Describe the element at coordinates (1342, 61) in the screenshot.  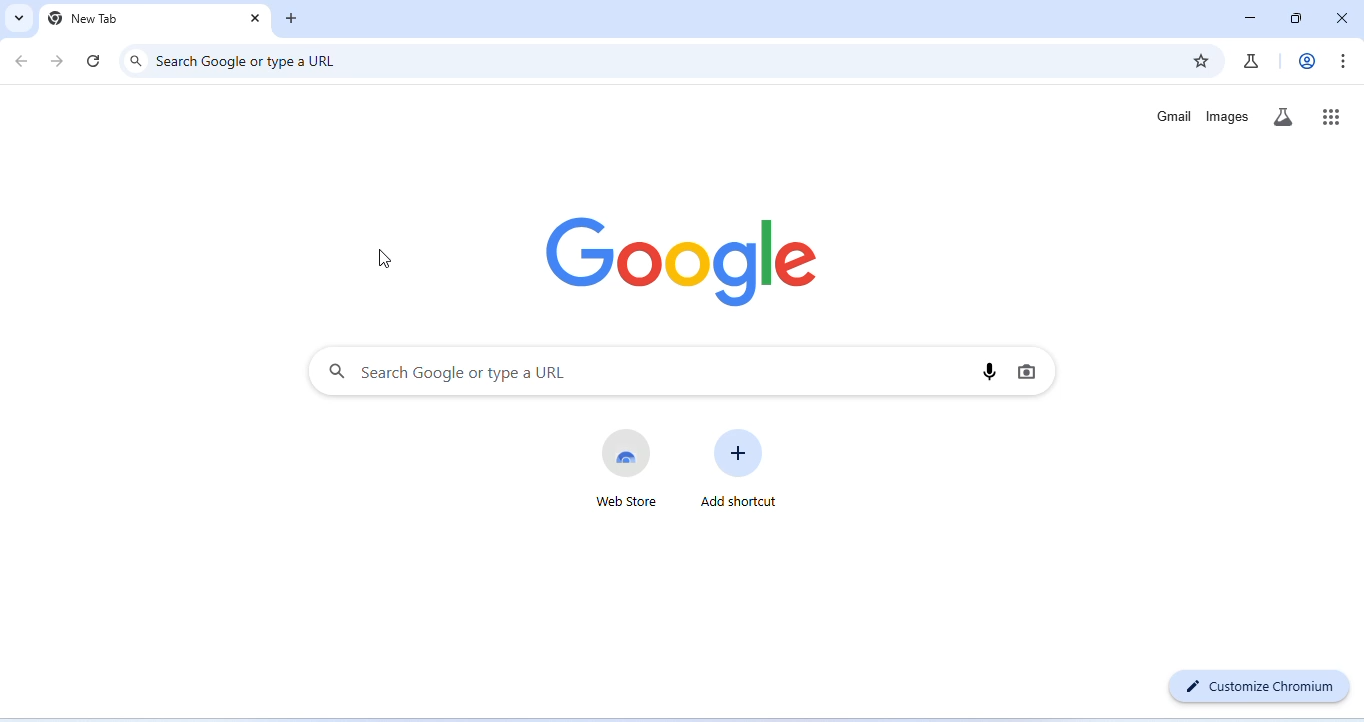
I see `customize and control chromium` at that location.